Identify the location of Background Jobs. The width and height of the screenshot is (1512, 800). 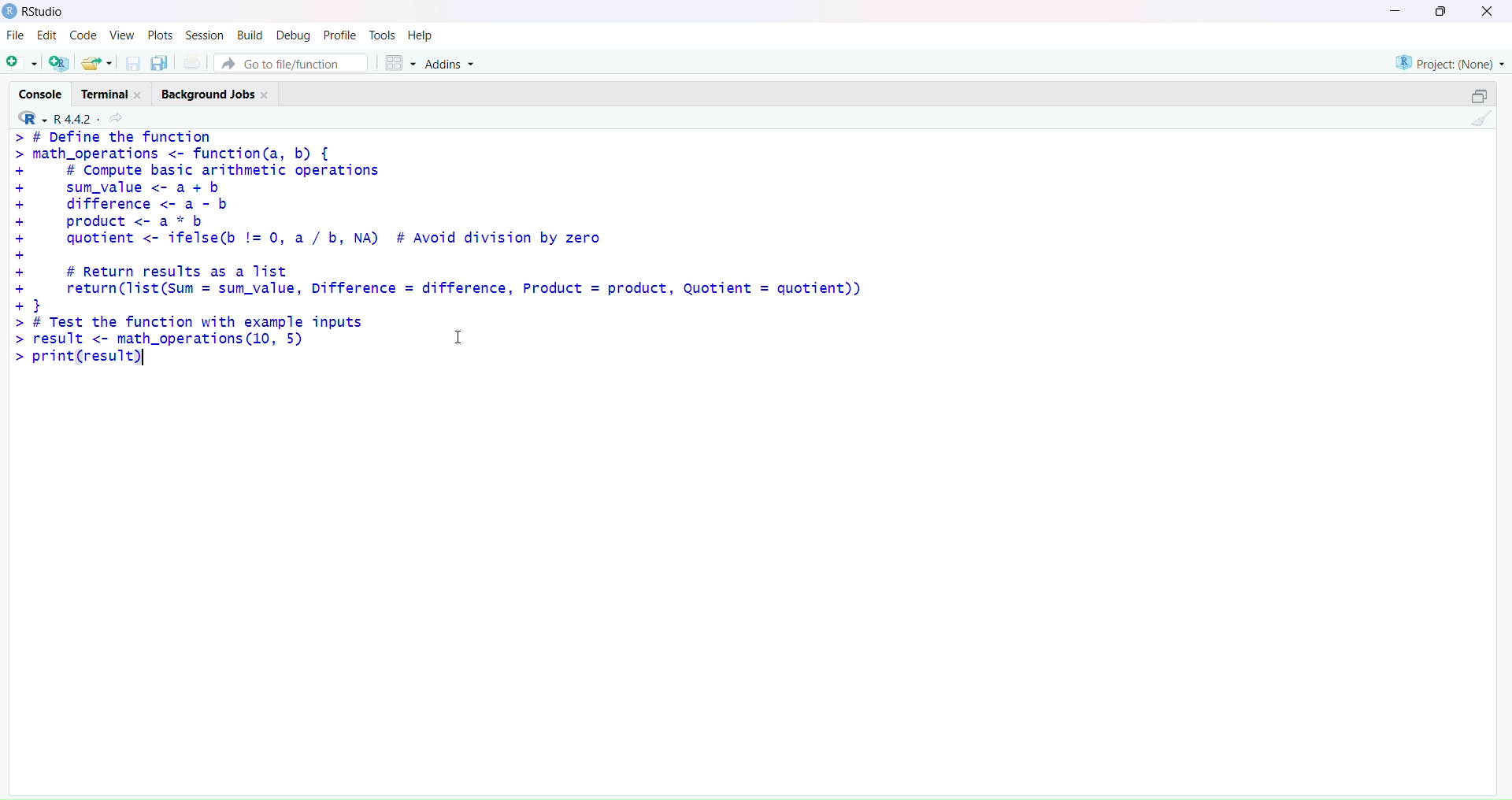
(216, 94).